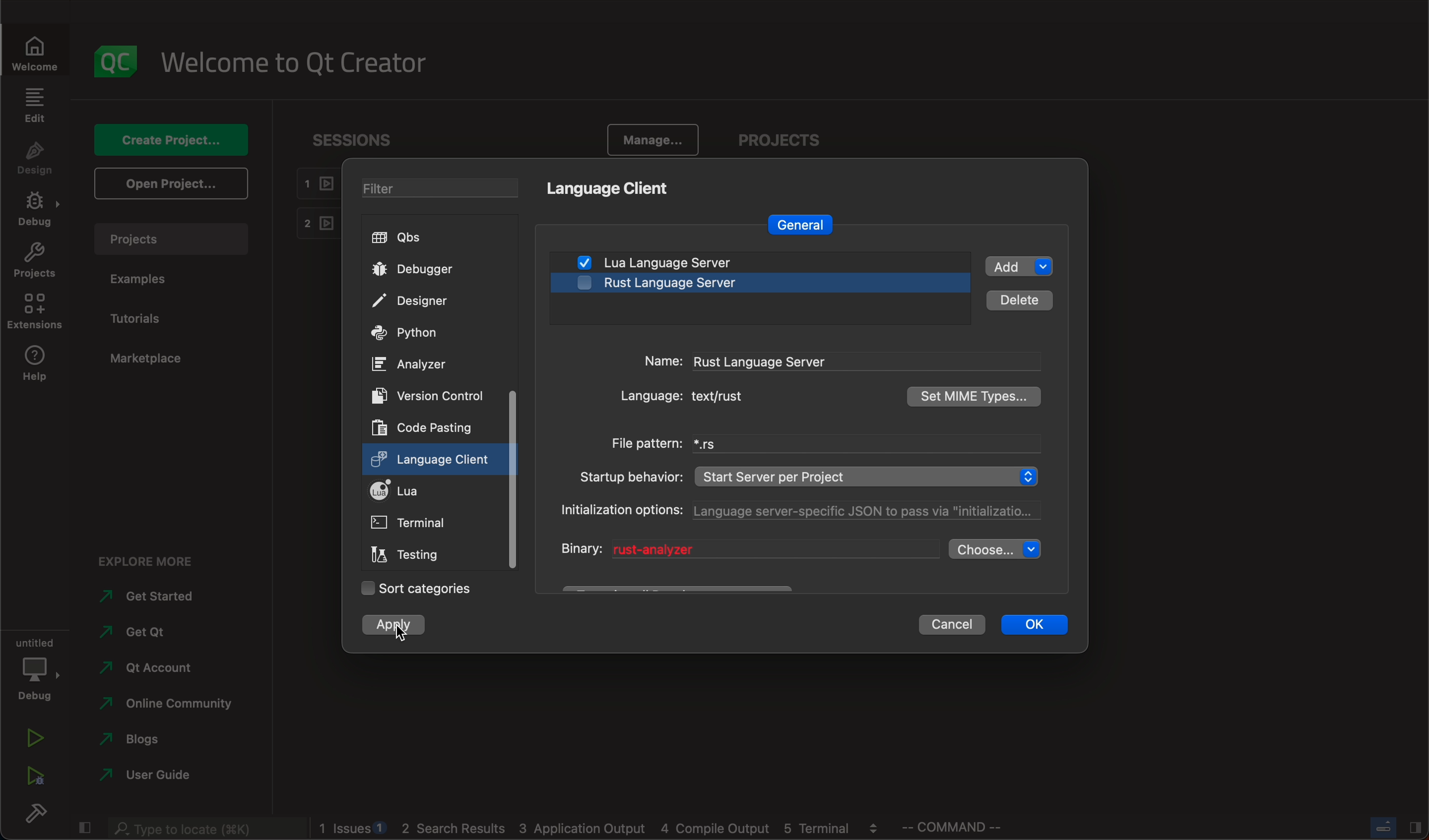 This screenshot has width=1429, height=840. What do you see at coordinates (35, 261) in the screenshot?
I see `projects` at bounding box center [35, 261].